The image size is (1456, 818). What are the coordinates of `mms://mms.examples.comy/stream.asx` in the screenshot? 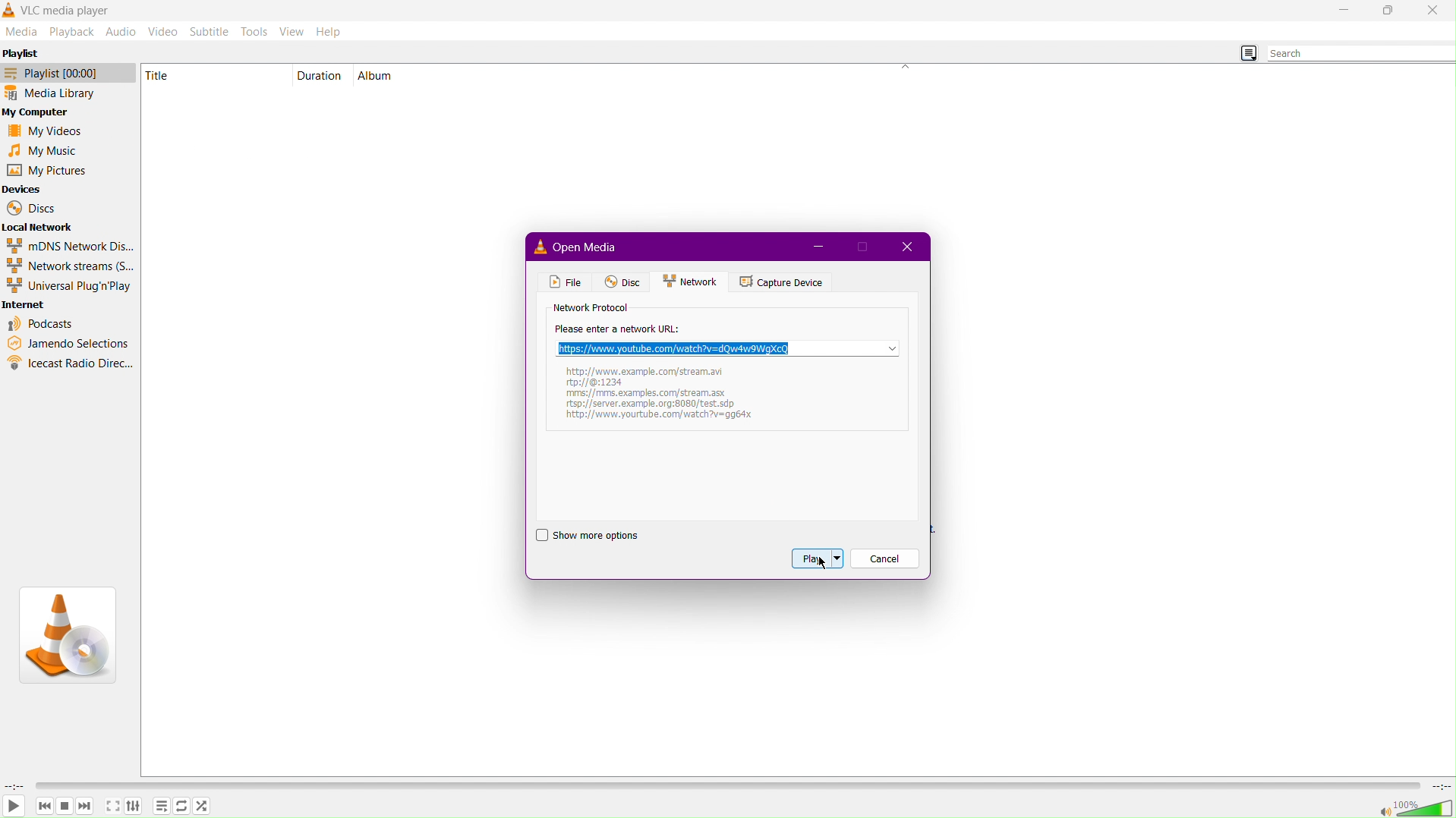 It's located at (650, 394).